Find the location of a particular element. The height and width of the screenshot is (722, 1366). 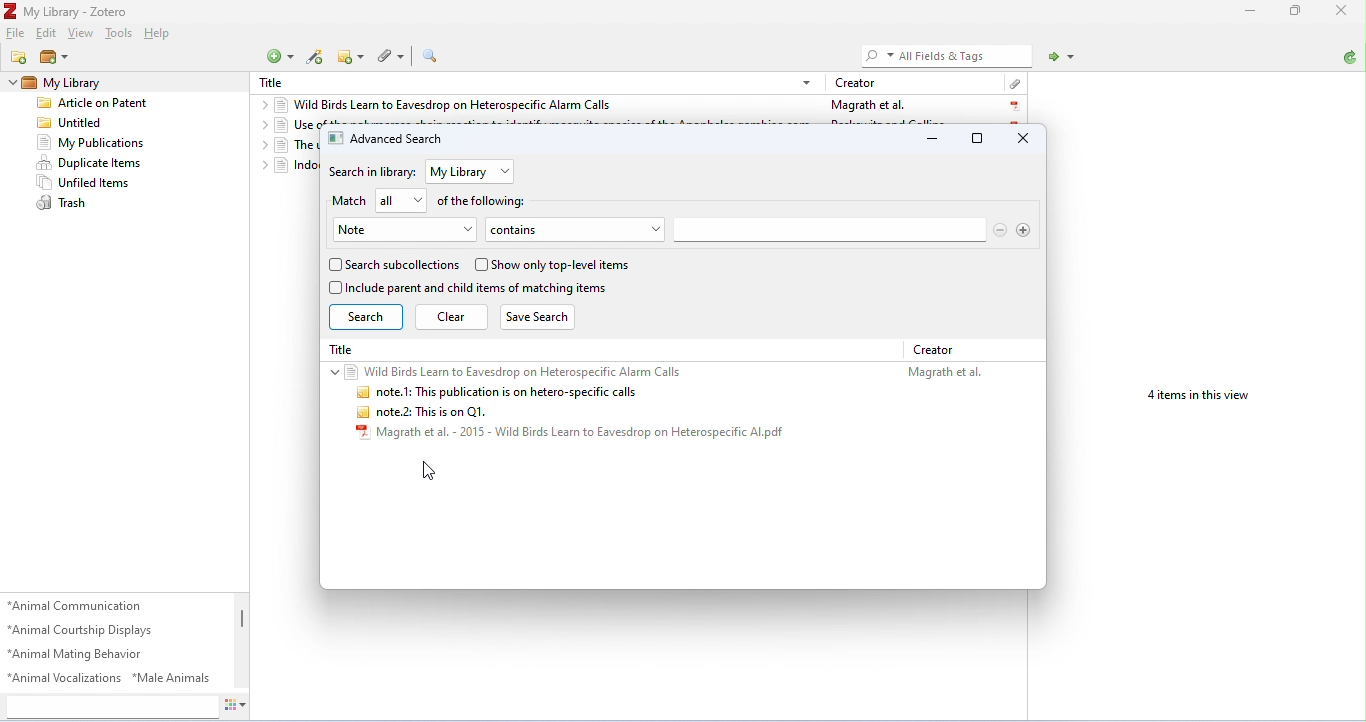

drop-down is located at coordinates (336, 374).